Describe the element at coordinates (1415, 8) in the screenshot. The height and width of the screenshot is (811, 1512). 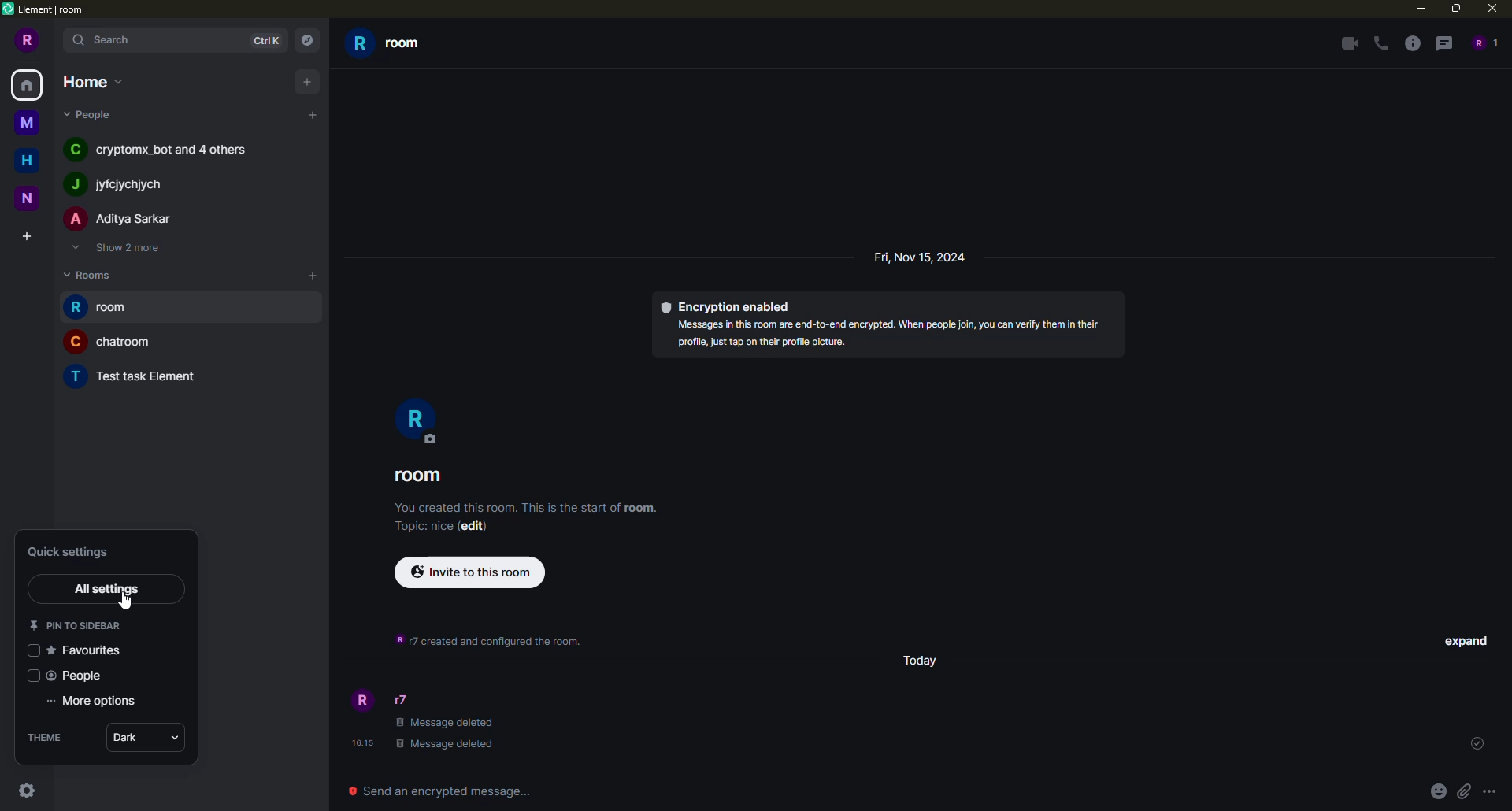
I see `minimize` at that location.